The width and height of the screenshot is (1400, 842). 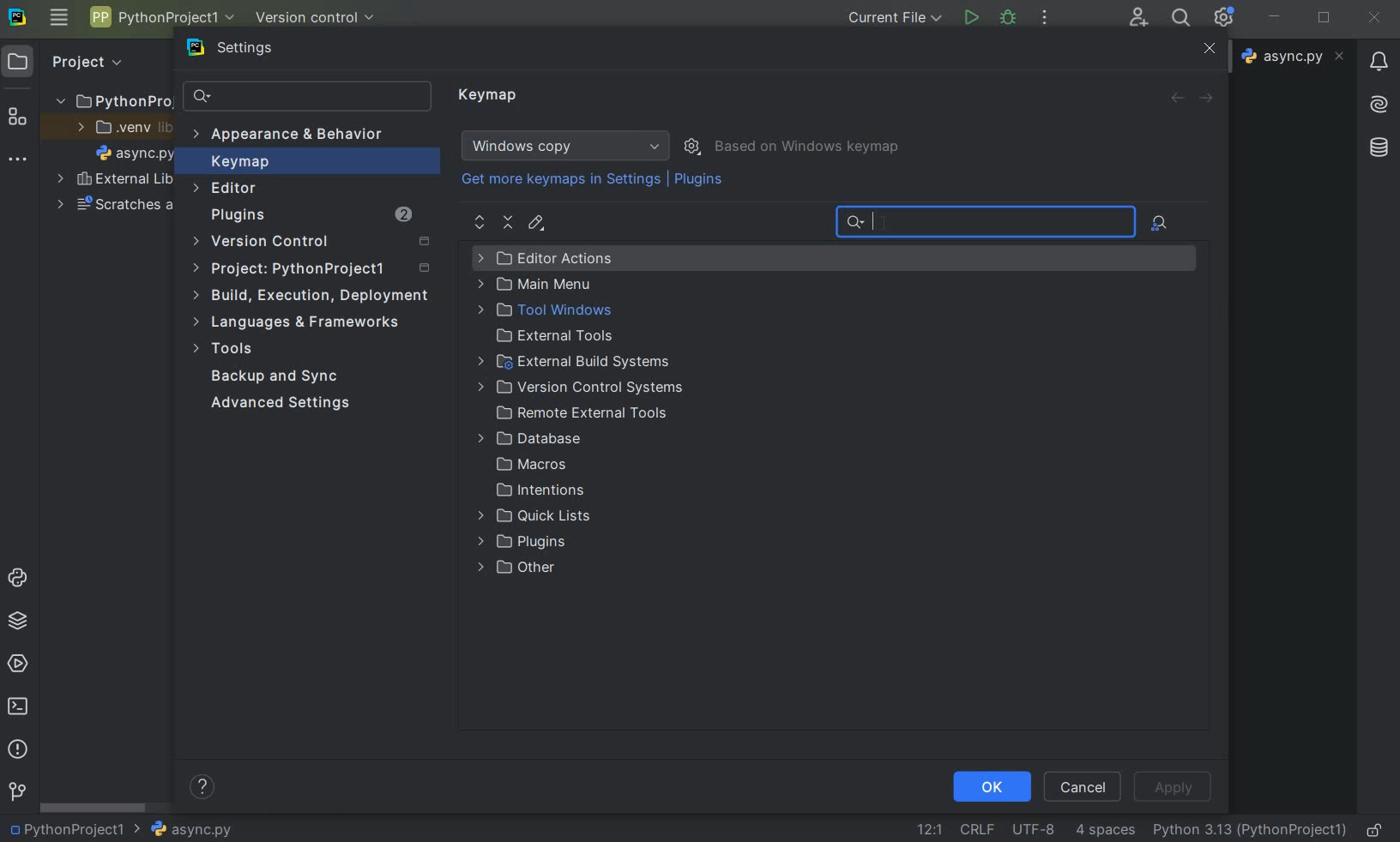 I want to click on editor, so click(x=226, y=188).